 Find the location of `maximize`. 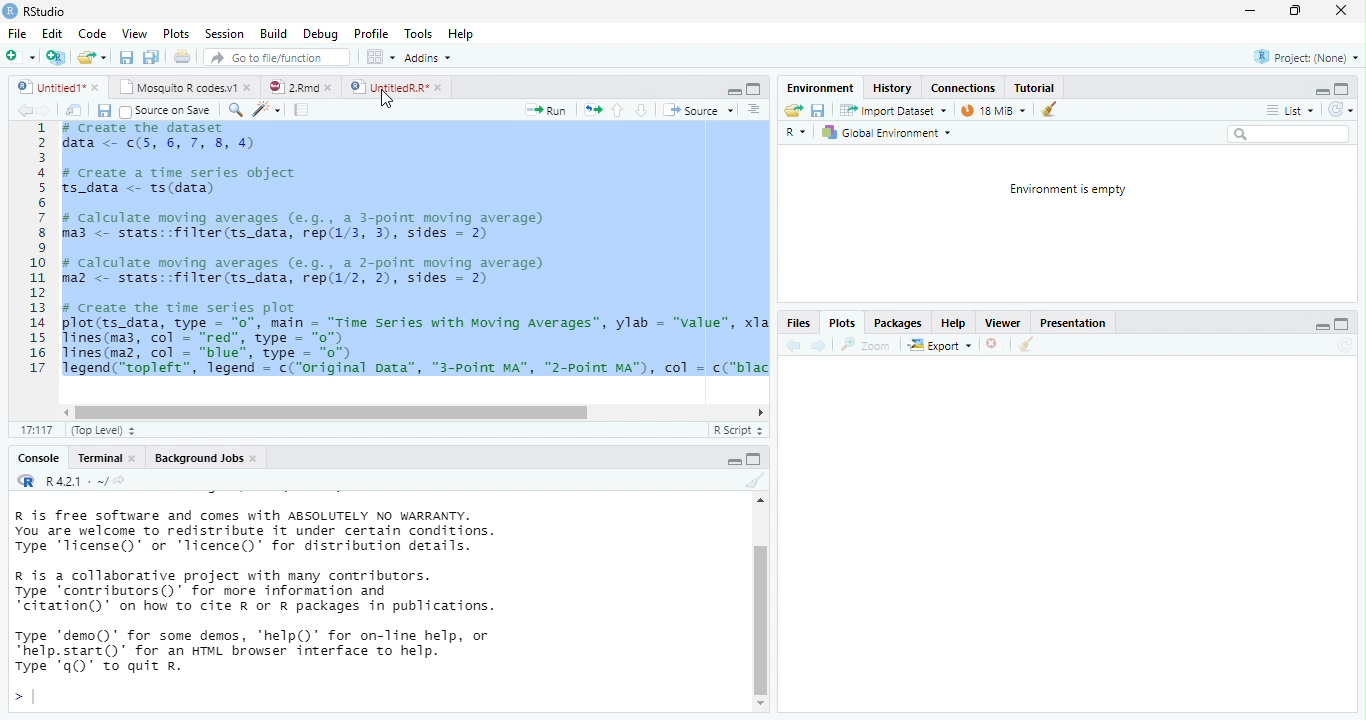

maximize is located at coordinates (754, 89).